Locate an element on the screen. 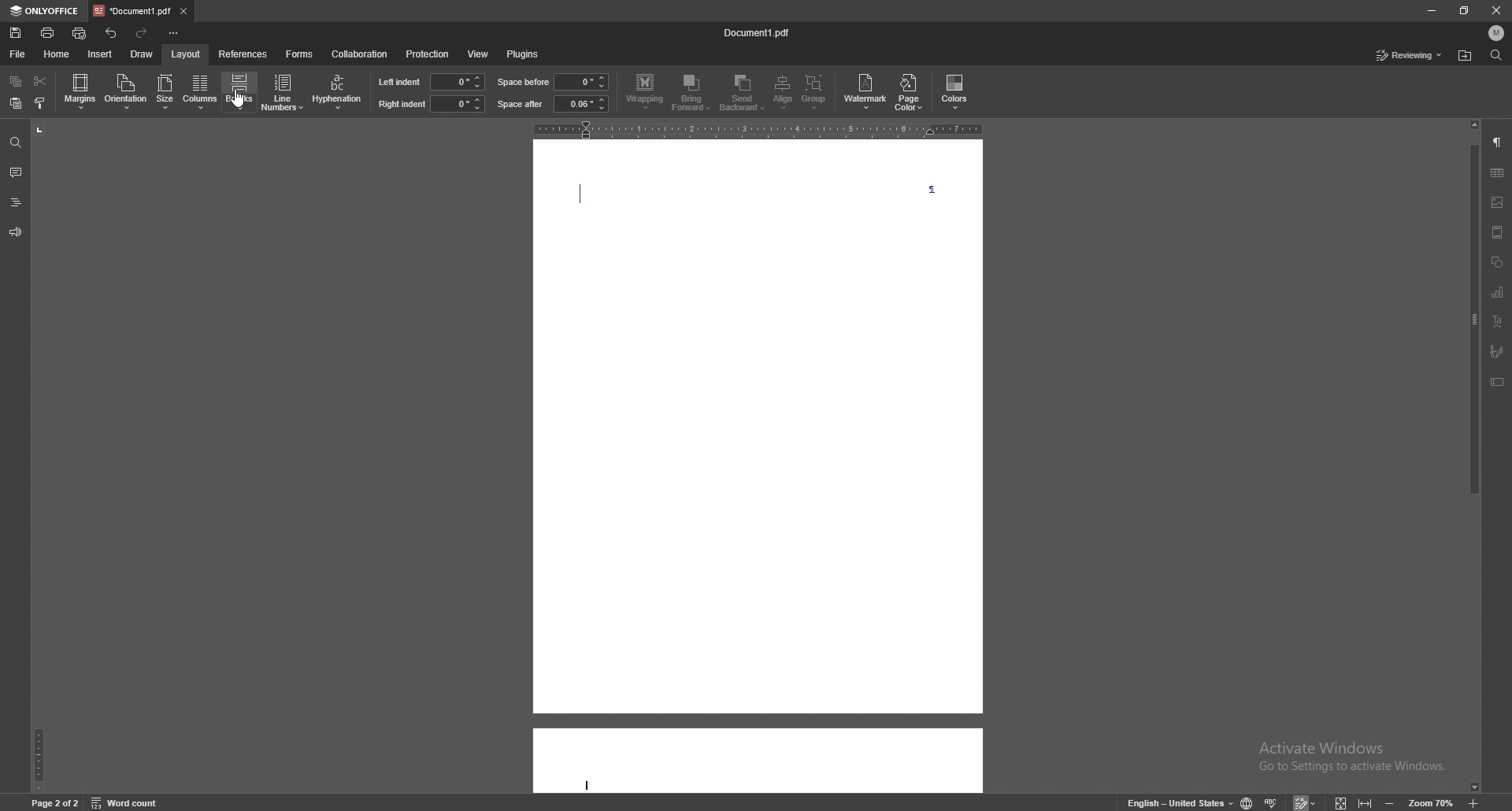 The image size is (1512, 811). find is located at coordinates (16, 144).